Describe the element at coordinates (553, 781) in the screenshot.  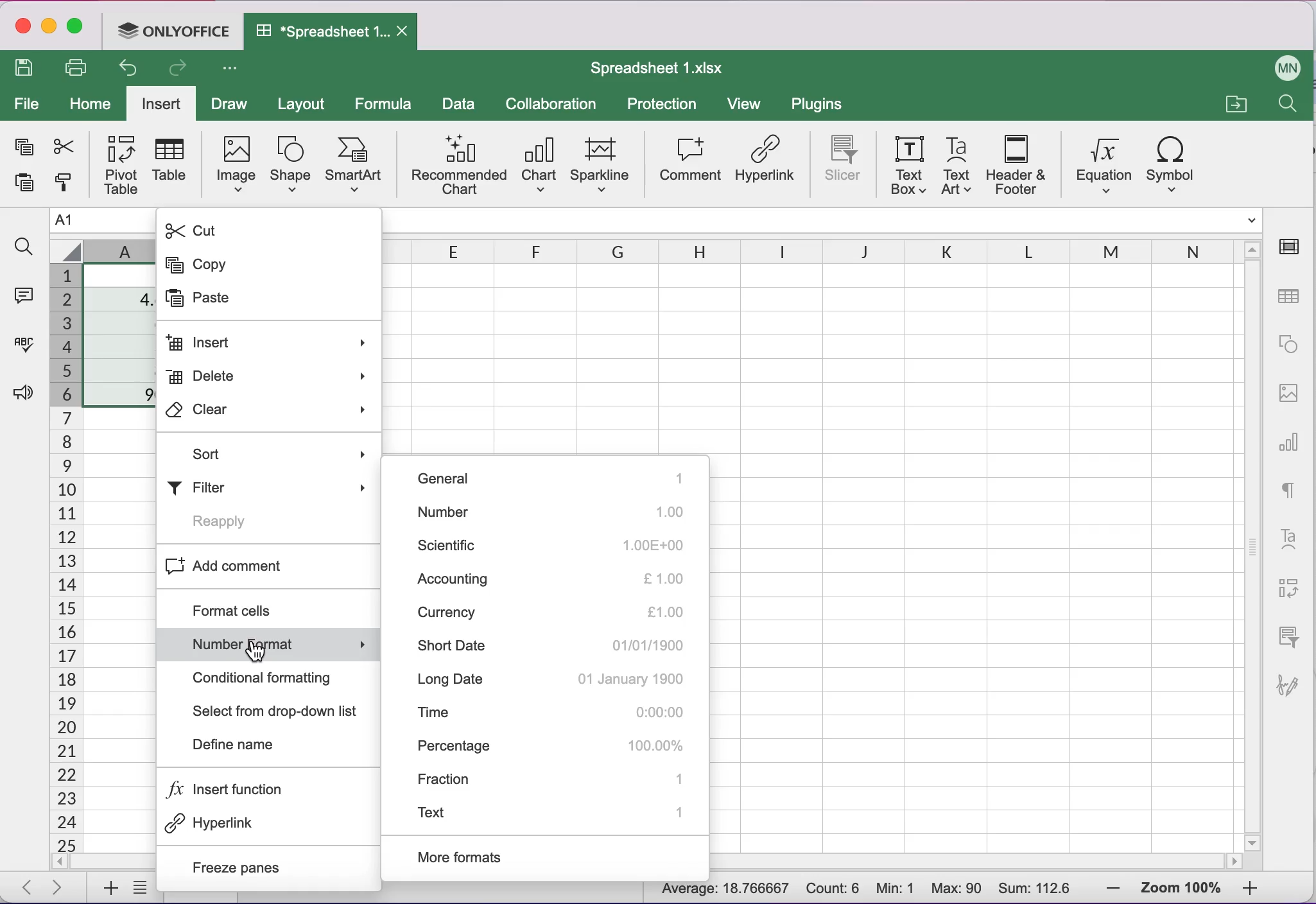
I see `fraction` at that location.